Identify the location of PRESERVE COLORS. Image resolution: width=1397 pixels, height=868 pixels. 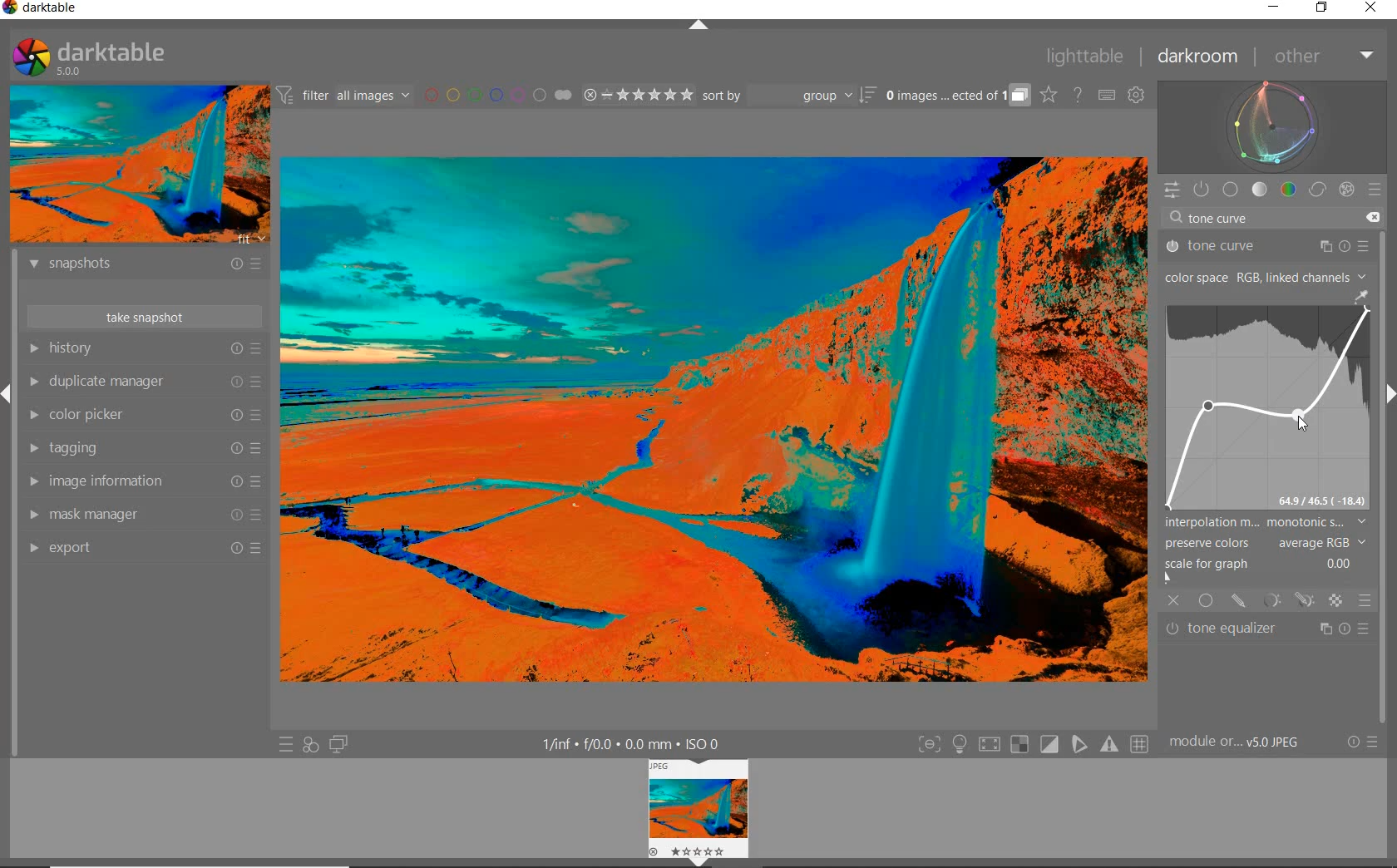
(1269, 544).